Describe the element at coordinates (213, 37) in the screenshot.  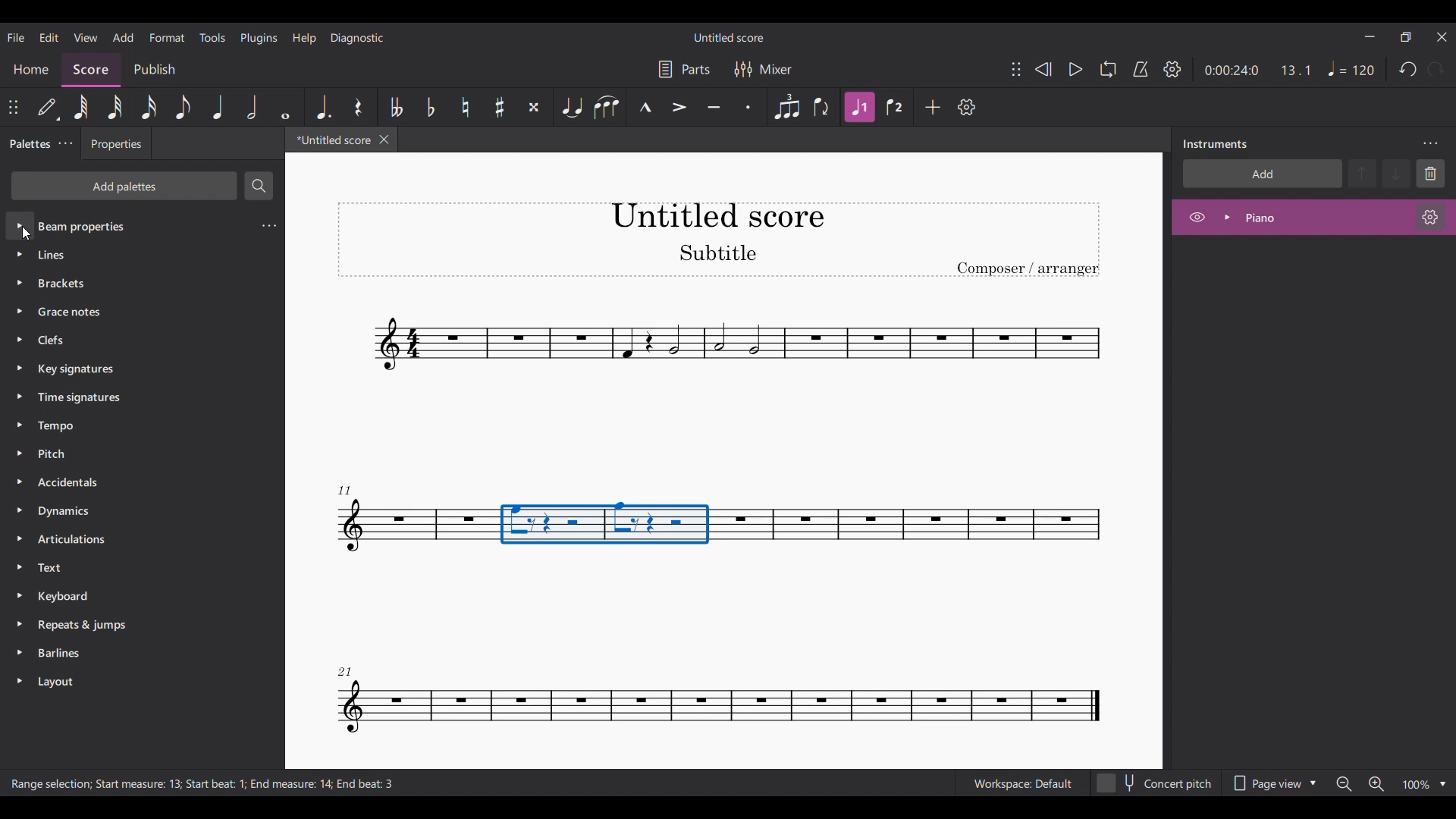
I see `Tools menu` at that location.